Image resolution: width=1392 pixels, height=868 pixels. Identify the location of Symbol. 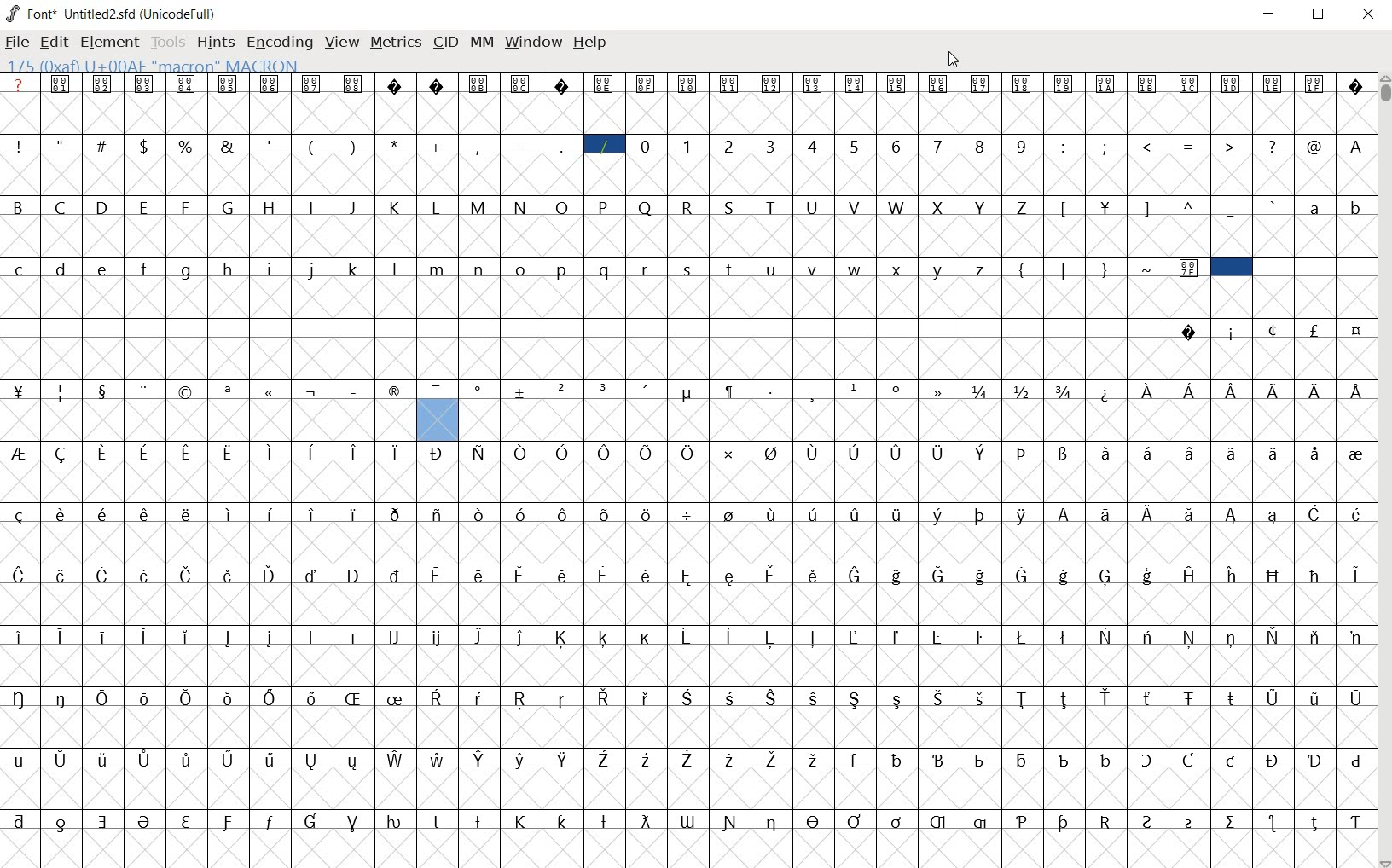
(1274, 390).